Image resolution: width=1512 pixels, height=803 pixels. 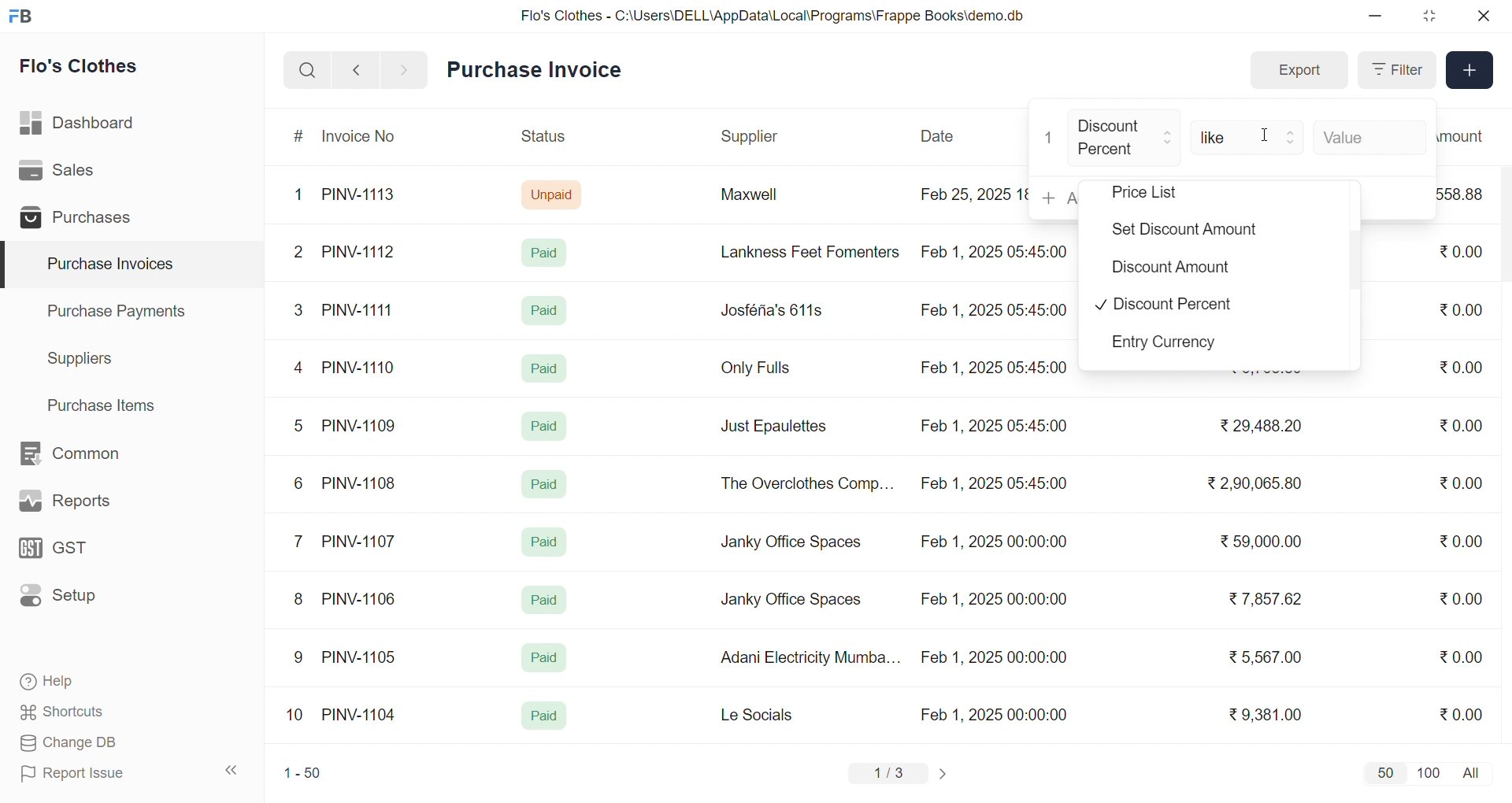 I want to click on Janky Office Spaces, so click(x=791, y=601).